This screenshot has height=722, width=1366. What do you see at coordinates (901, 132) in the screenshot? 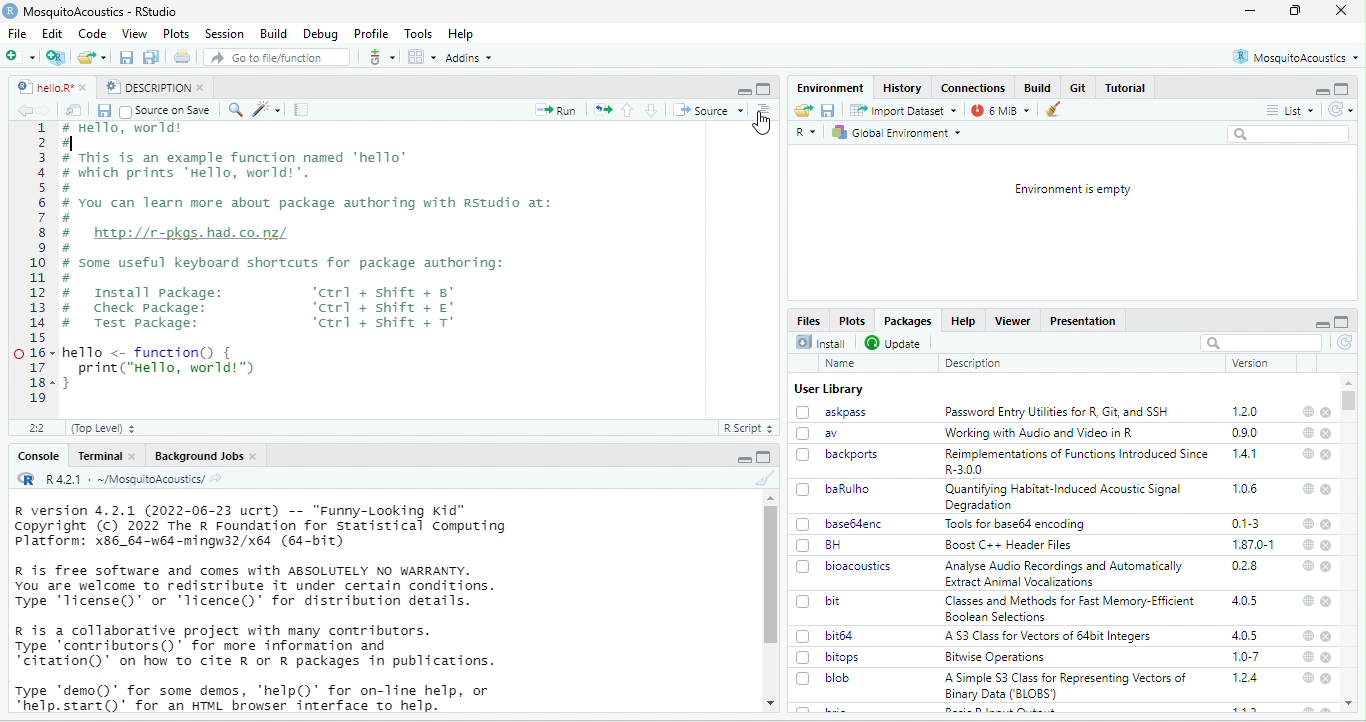
I see `Global Environment` at bounding box center [901, 132].